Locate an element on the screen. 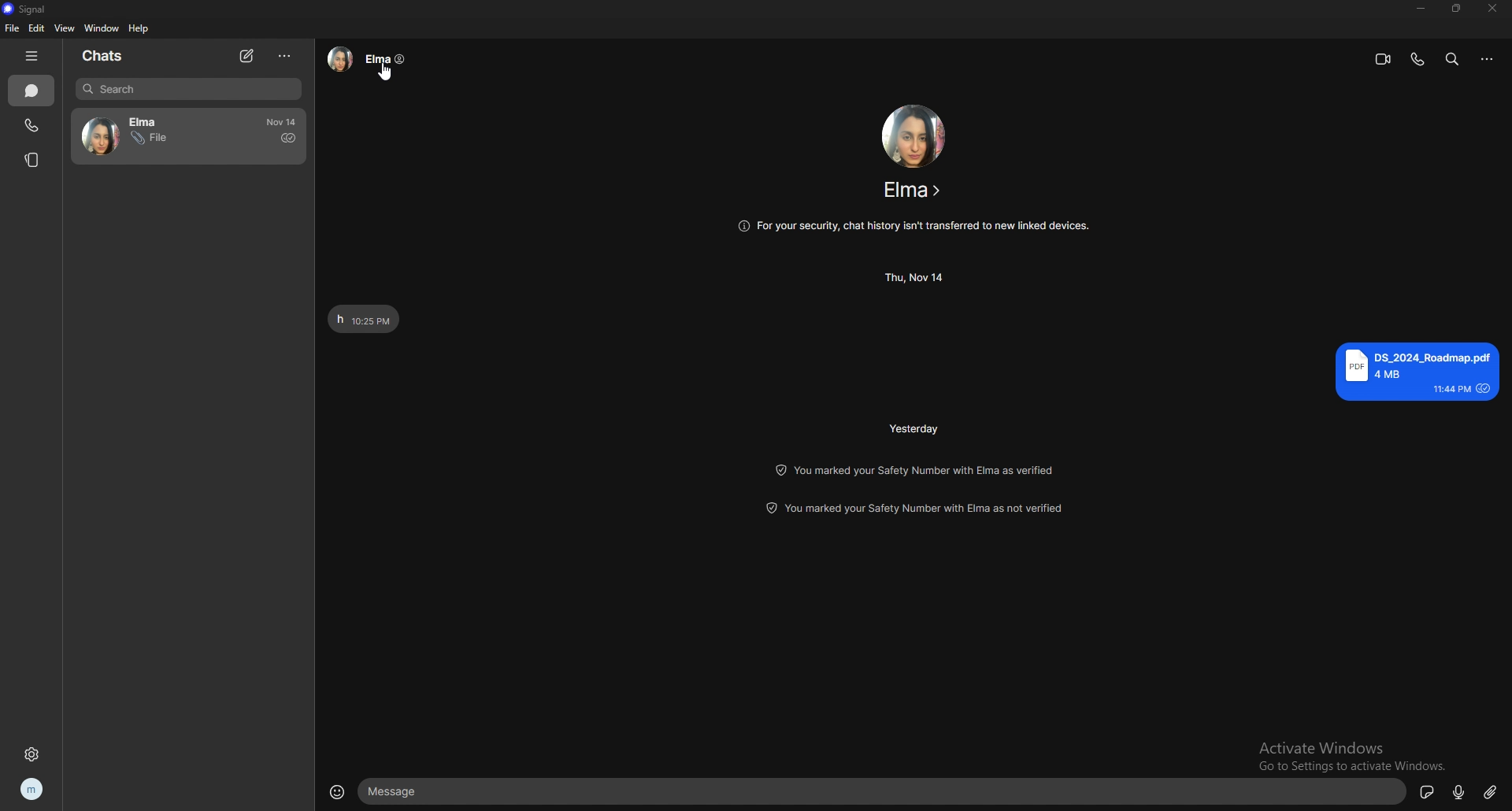 Image resolution: width=1512 pixels, height=811 pixels. text is located at coordinates (362, 320).